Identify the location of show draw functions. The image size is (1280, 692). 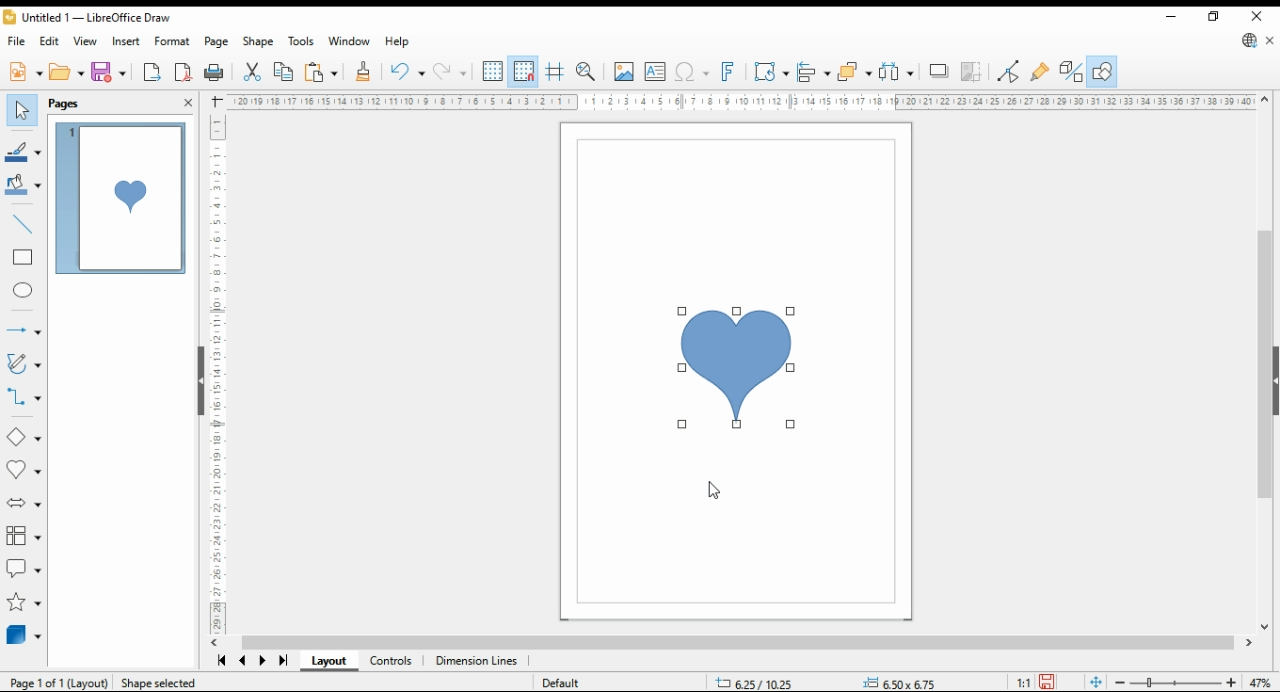
(1102, 71).